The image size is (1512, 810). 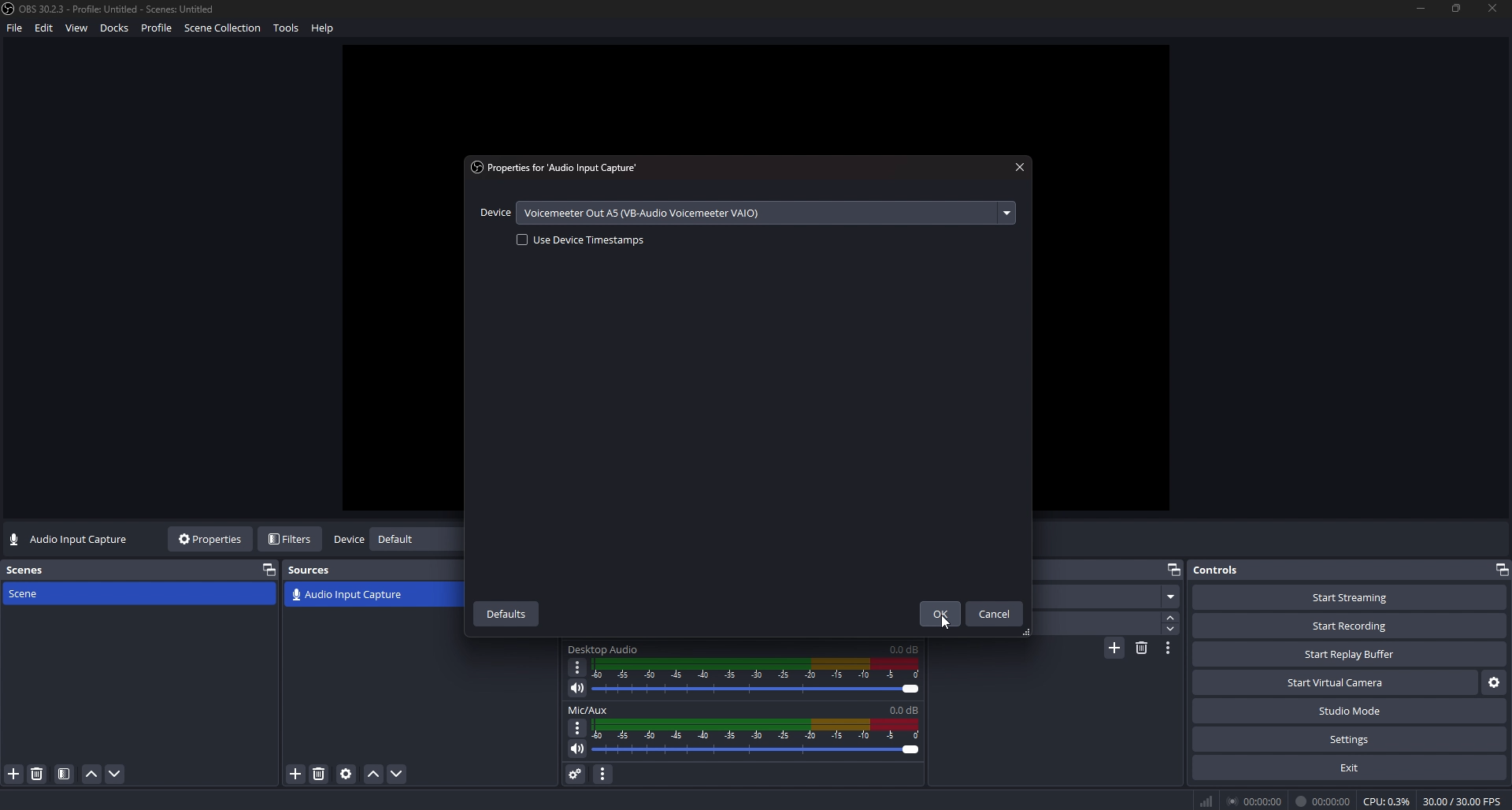 I want to click on start virtual camera, so click(x=1334, y=683).